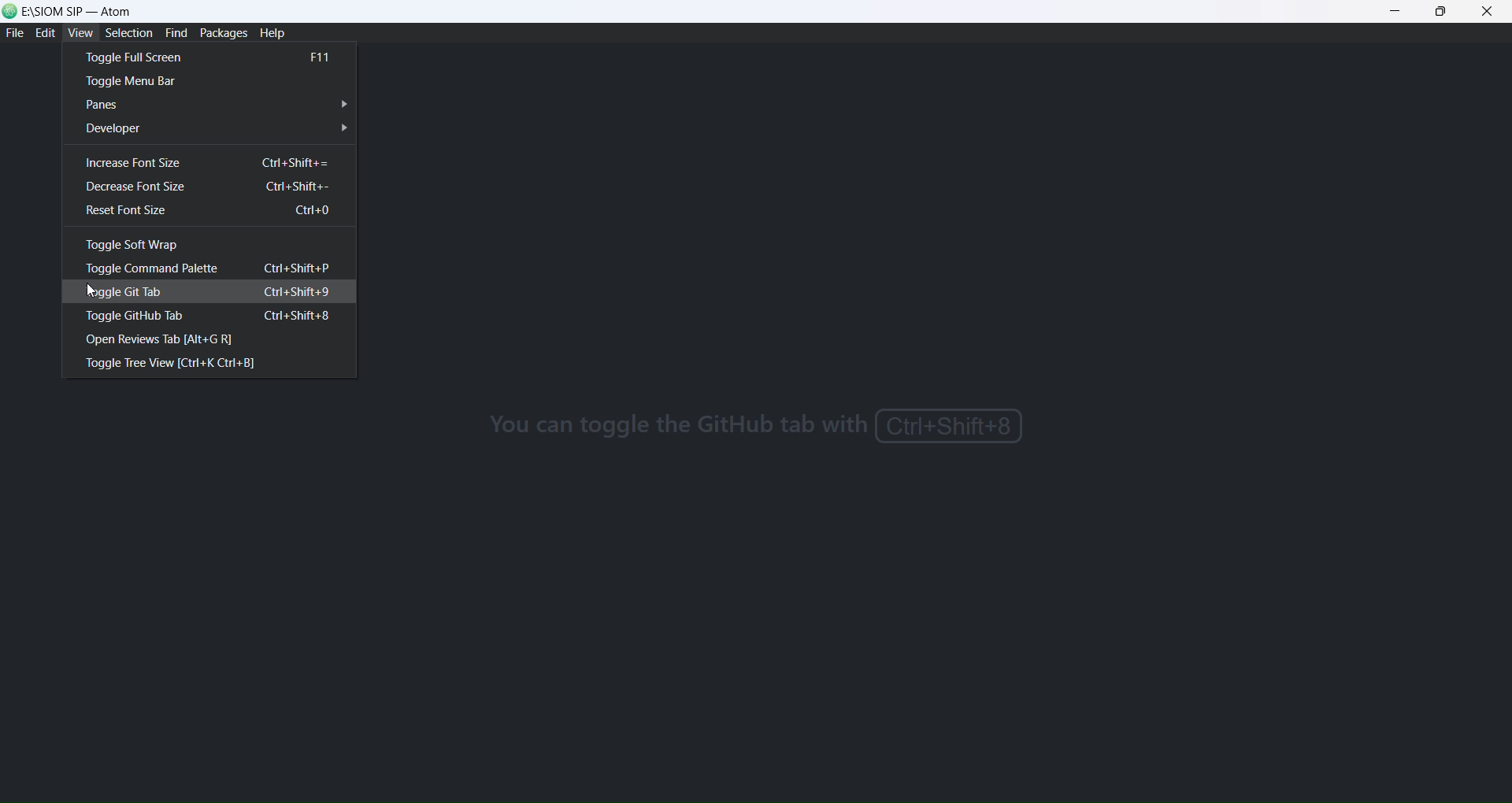  I want to click on packages, so click(220, 32).